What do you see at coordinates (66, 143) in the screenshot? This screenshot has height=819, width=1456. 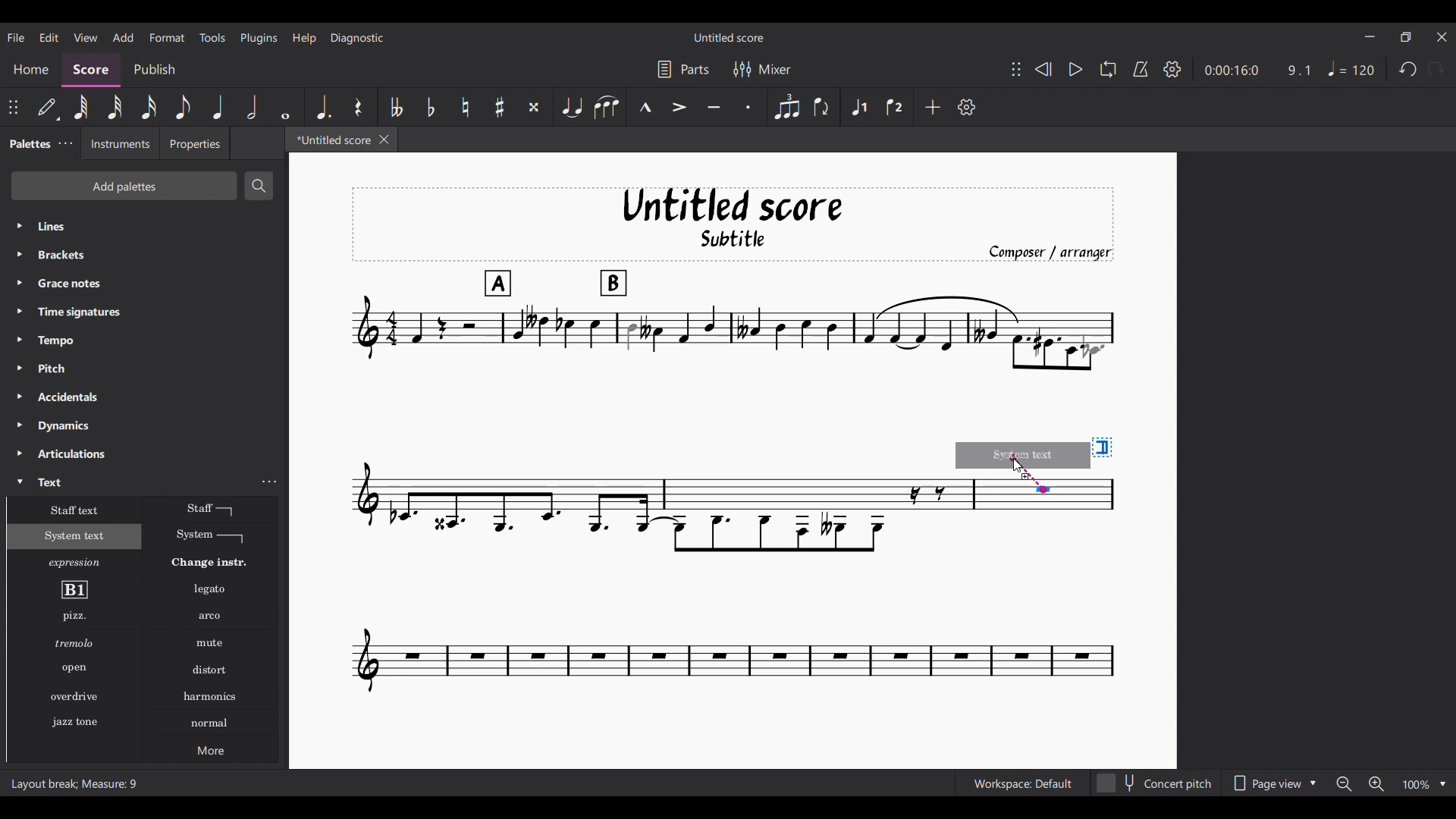 I see `Palette settings` at bounding box center [66, 143].